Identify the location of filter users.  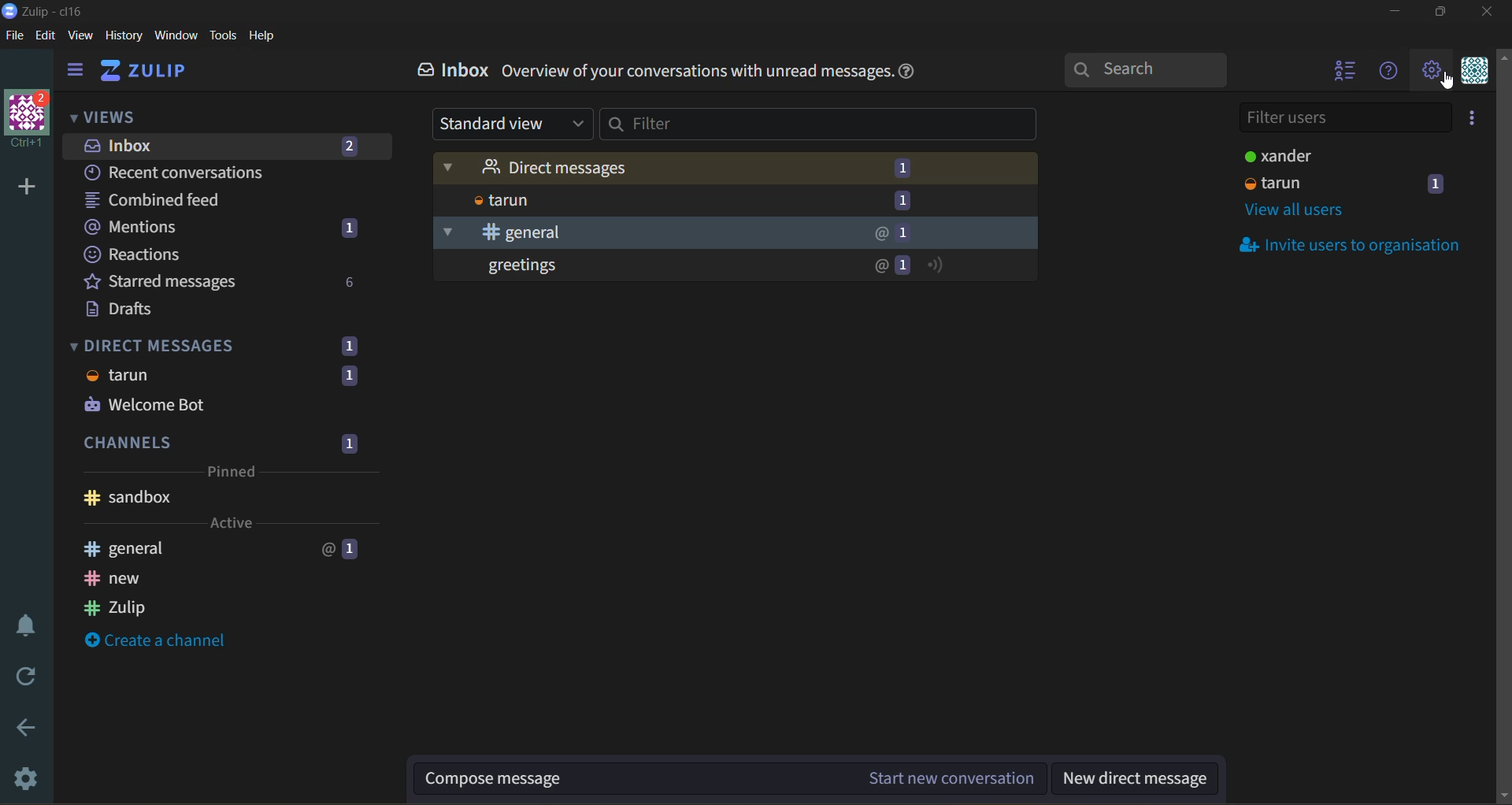
(1345, 116).